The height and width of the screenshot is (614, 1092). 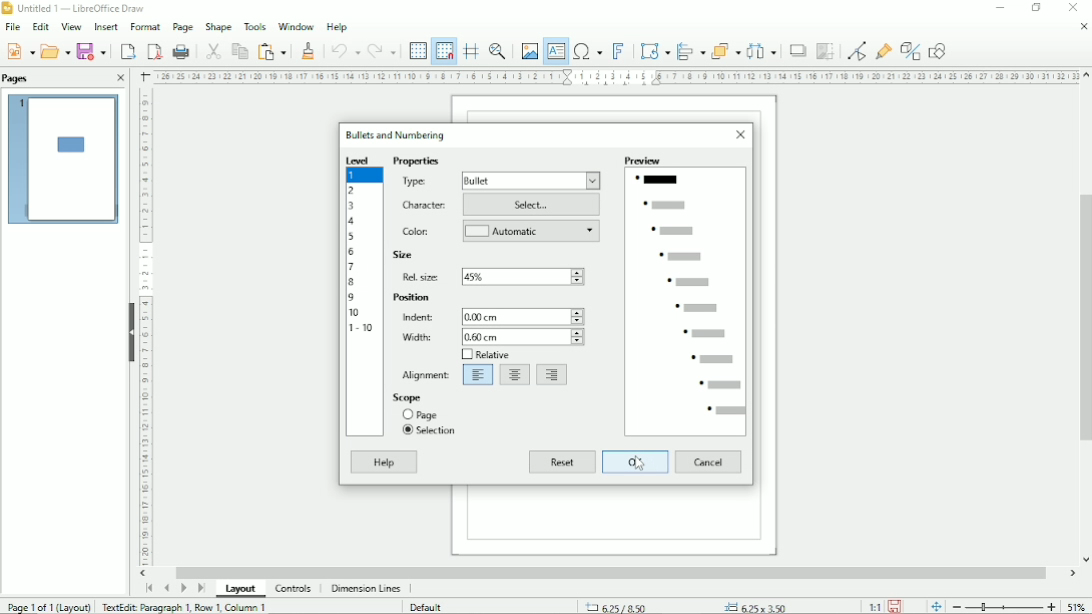 I want to click on Color, so click(x=416, y=231).